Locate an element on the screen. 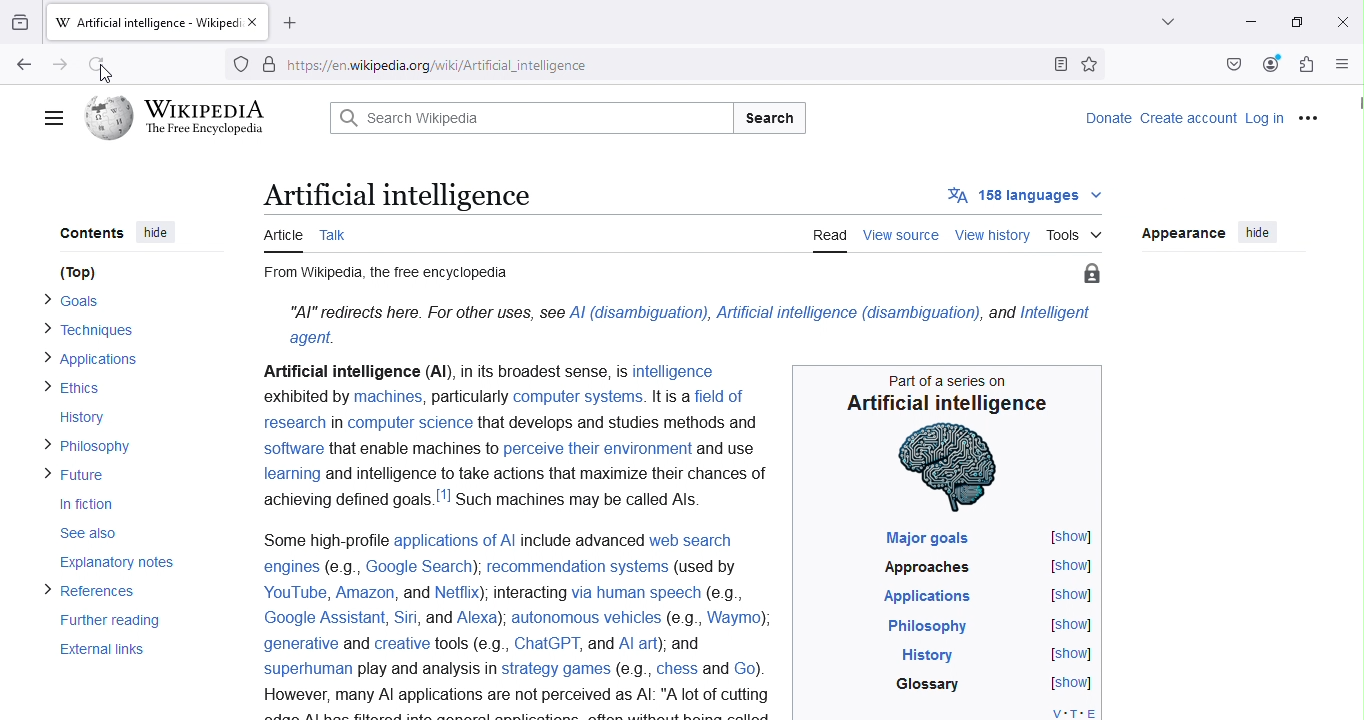  and intelligence to take actions that maximize their chances of is located at coordinates (552, 477).